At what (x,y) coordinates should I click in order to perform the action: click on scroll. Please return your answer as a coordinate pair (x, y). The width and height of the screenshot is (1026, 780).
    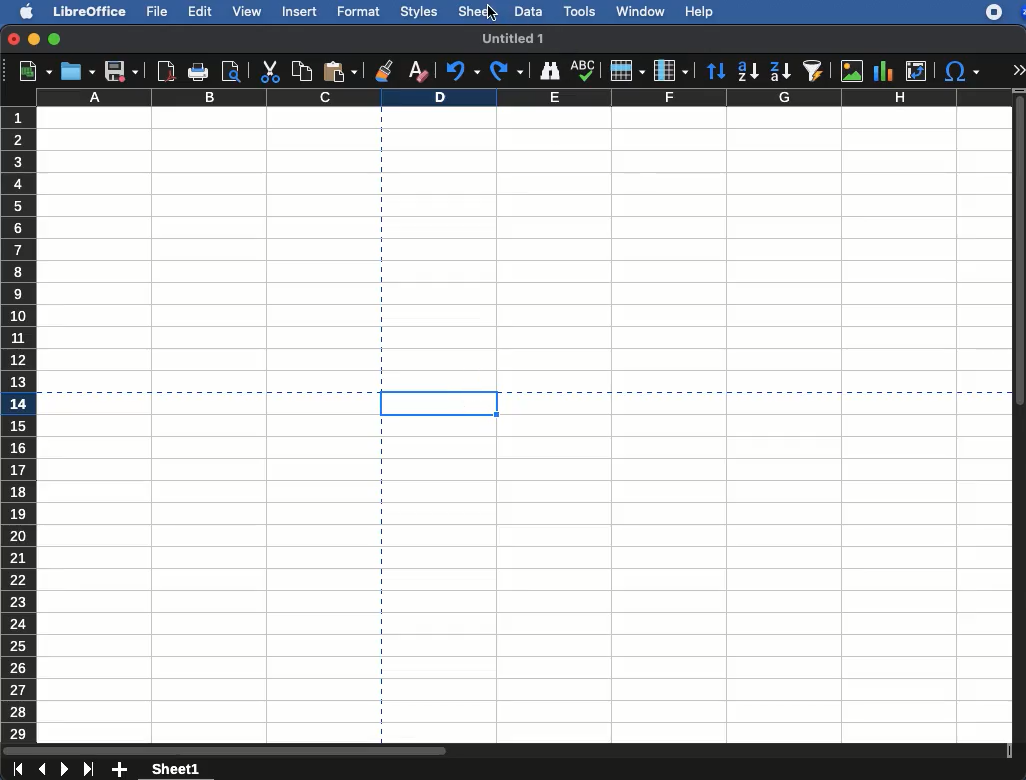
    Looking at the image, I should click on (507, 750).